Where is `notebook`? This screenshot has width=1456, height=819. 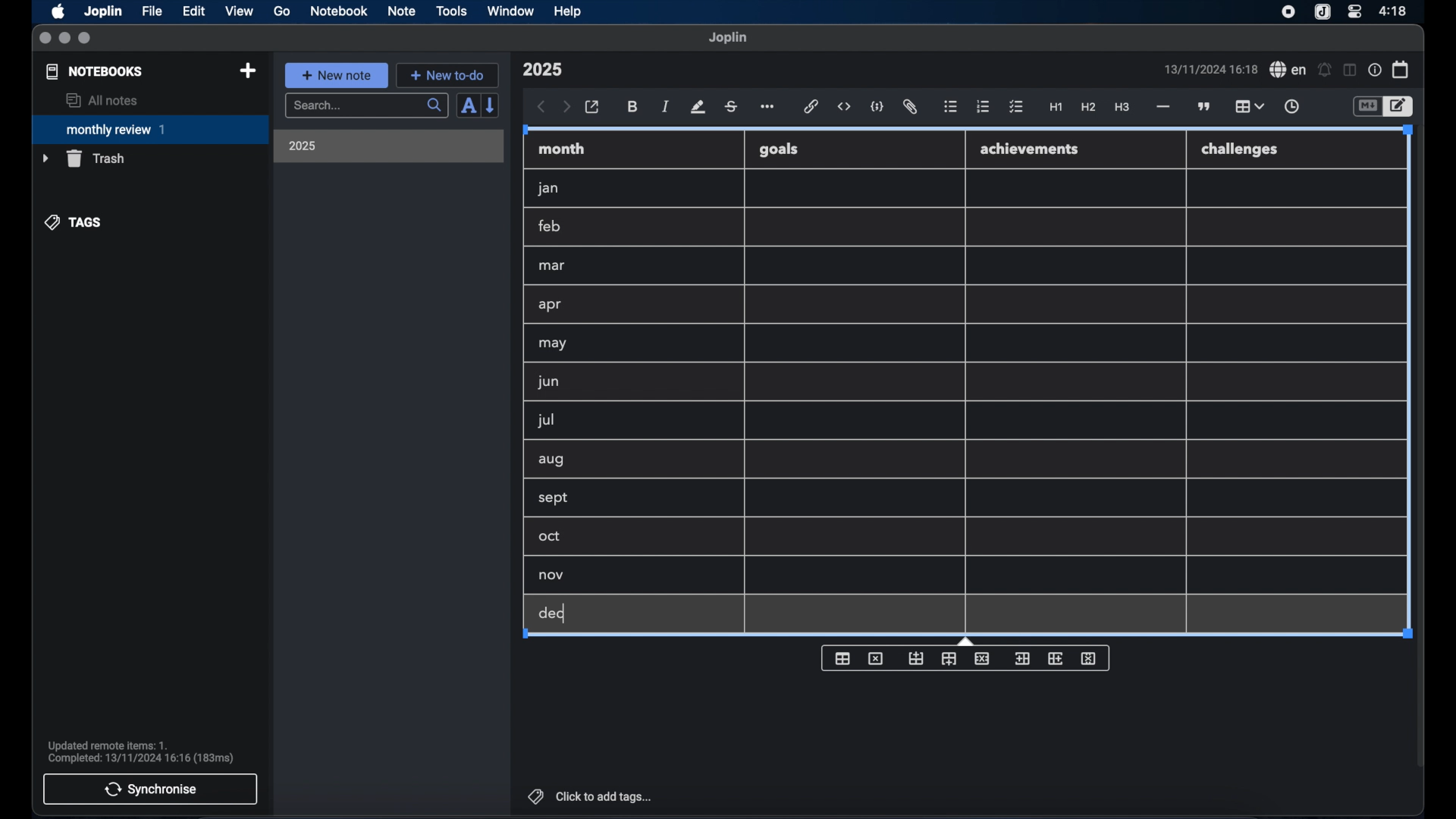 notebook is located at coordinates (339, 11).